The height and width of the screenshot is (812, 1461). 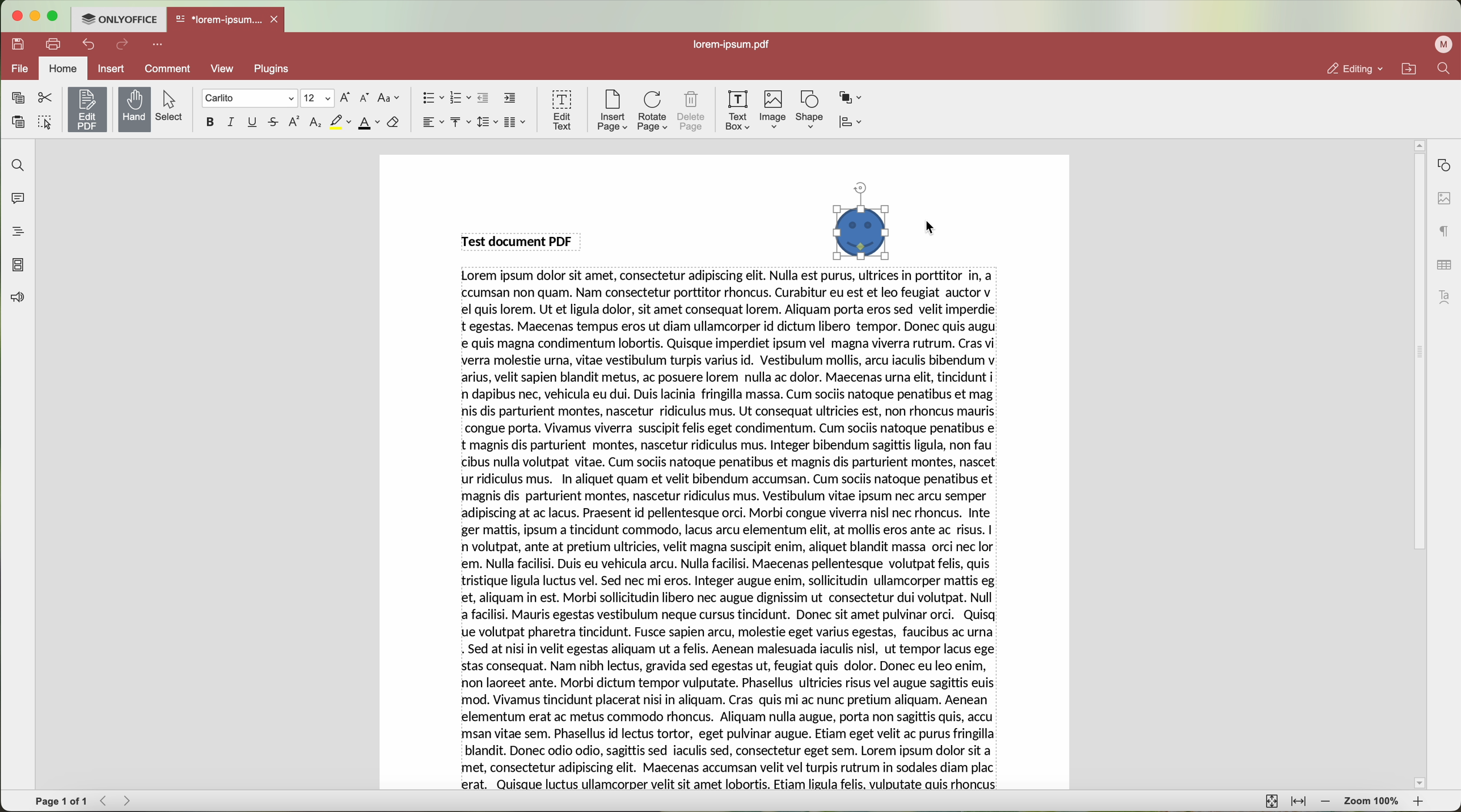 What do you see at coordinates (19, 43) in the screenshot?
I see `save` at bounding box center [19, 43].